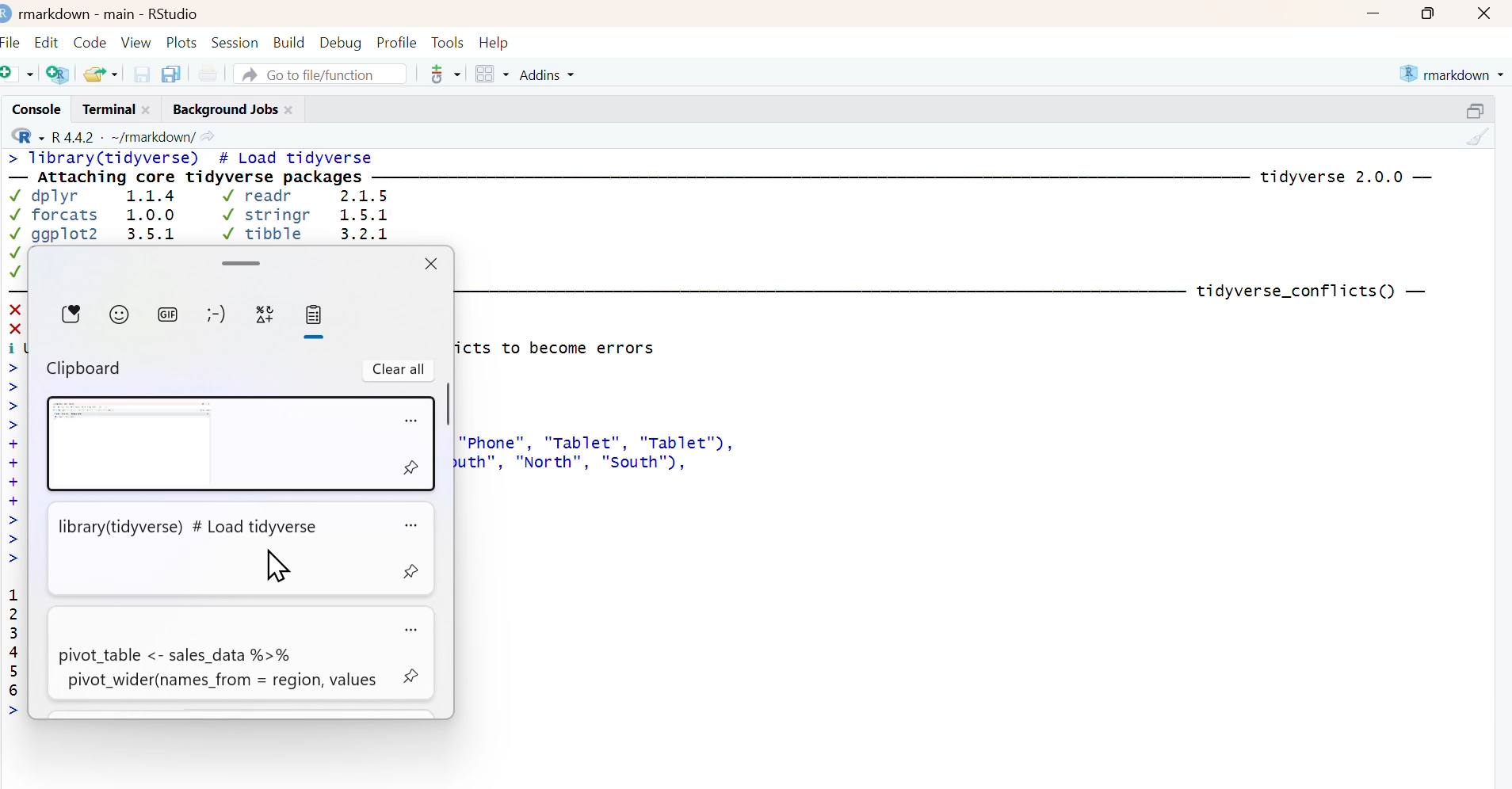 This screenshot has height=789, width=1512. Describe the element at coordinates (430, 261) in the screenshot. I see `close` at that location.